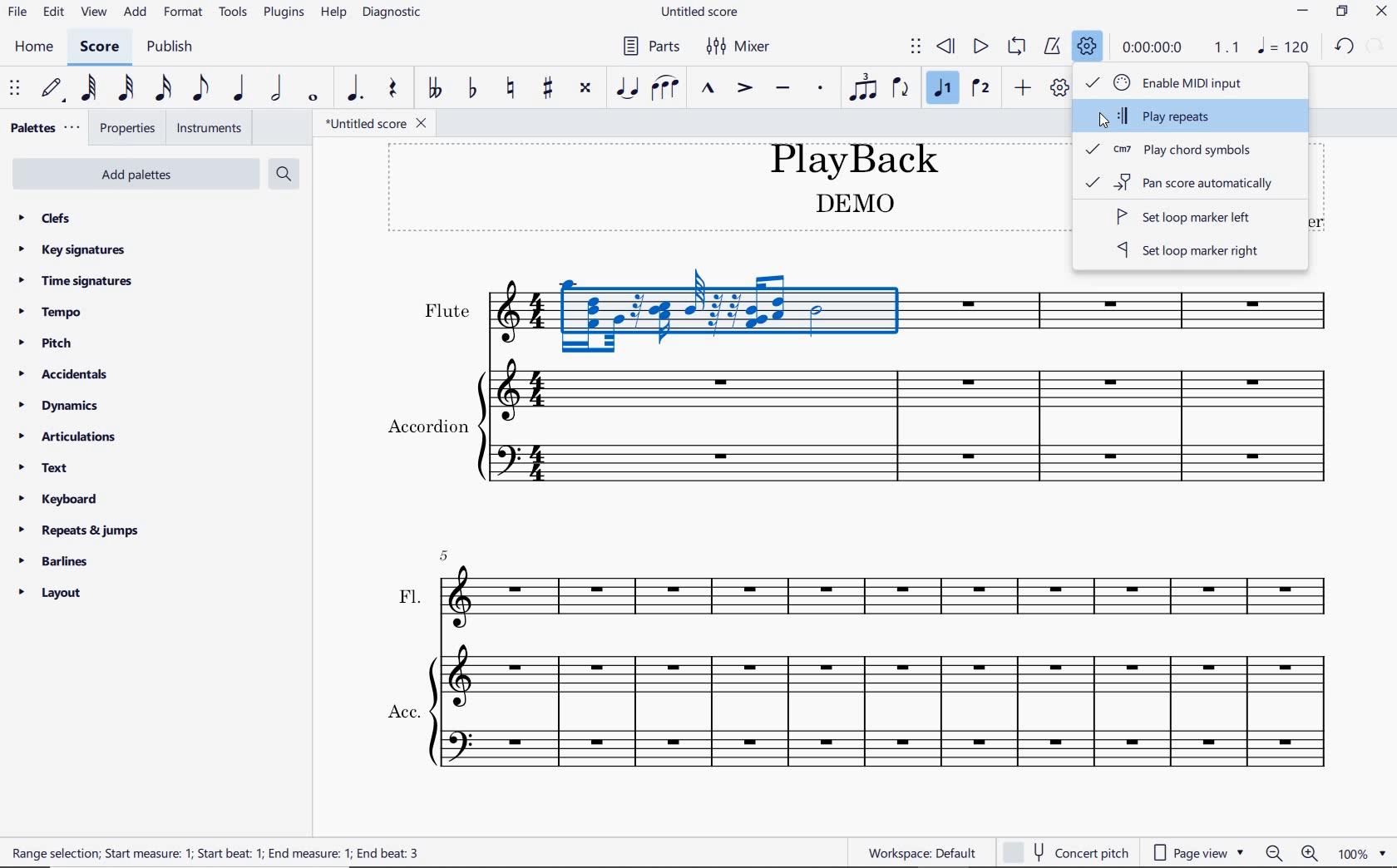 The height and width of the screenshot is (868, 1397). Describe the element at coordinates (698, 11) in the screenshot. I see `file name` at that location.